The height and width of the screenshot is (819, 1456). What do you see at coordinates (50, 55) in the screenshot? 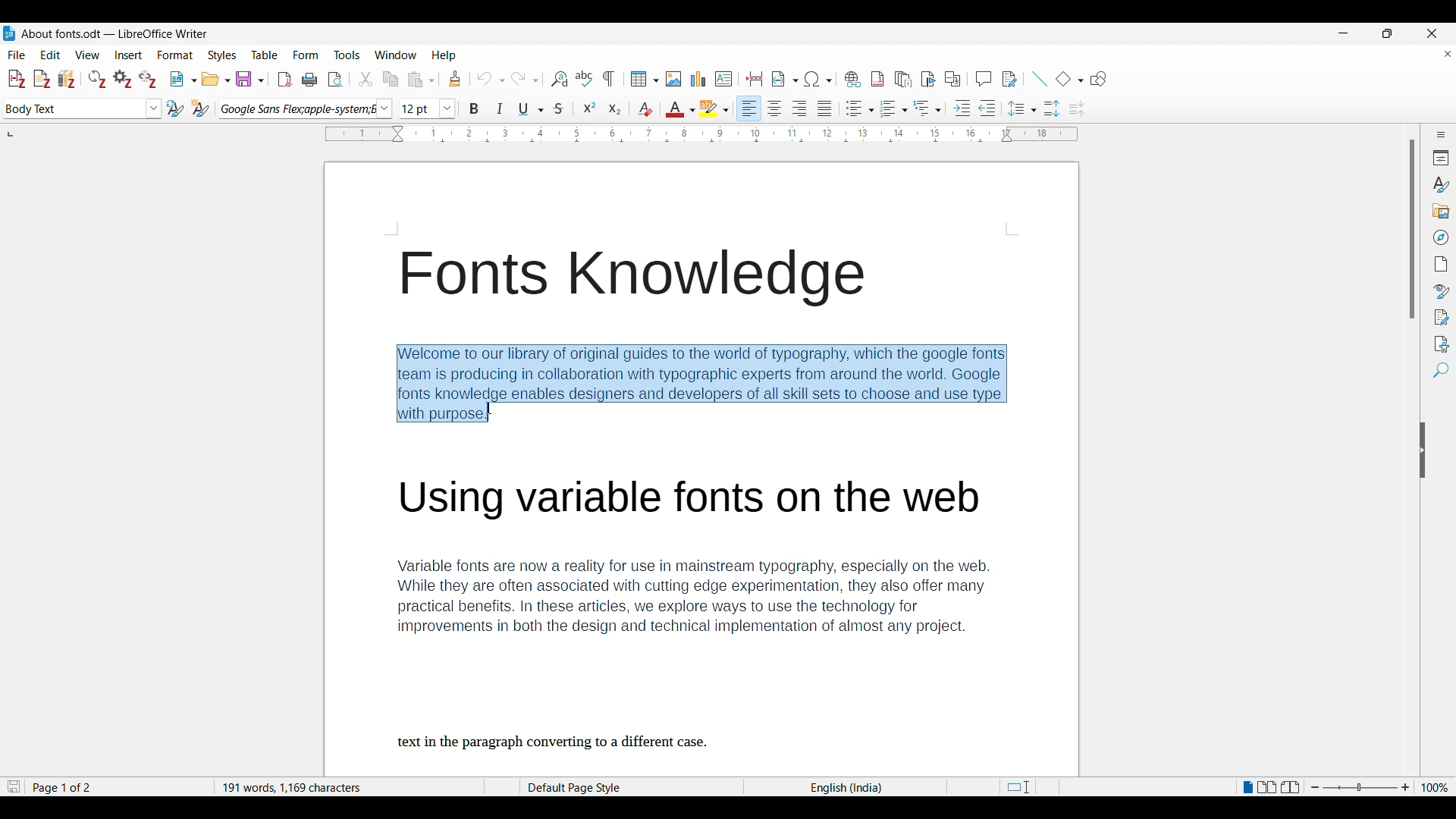
I see `Edit menu` at bounding box center [50, 55].